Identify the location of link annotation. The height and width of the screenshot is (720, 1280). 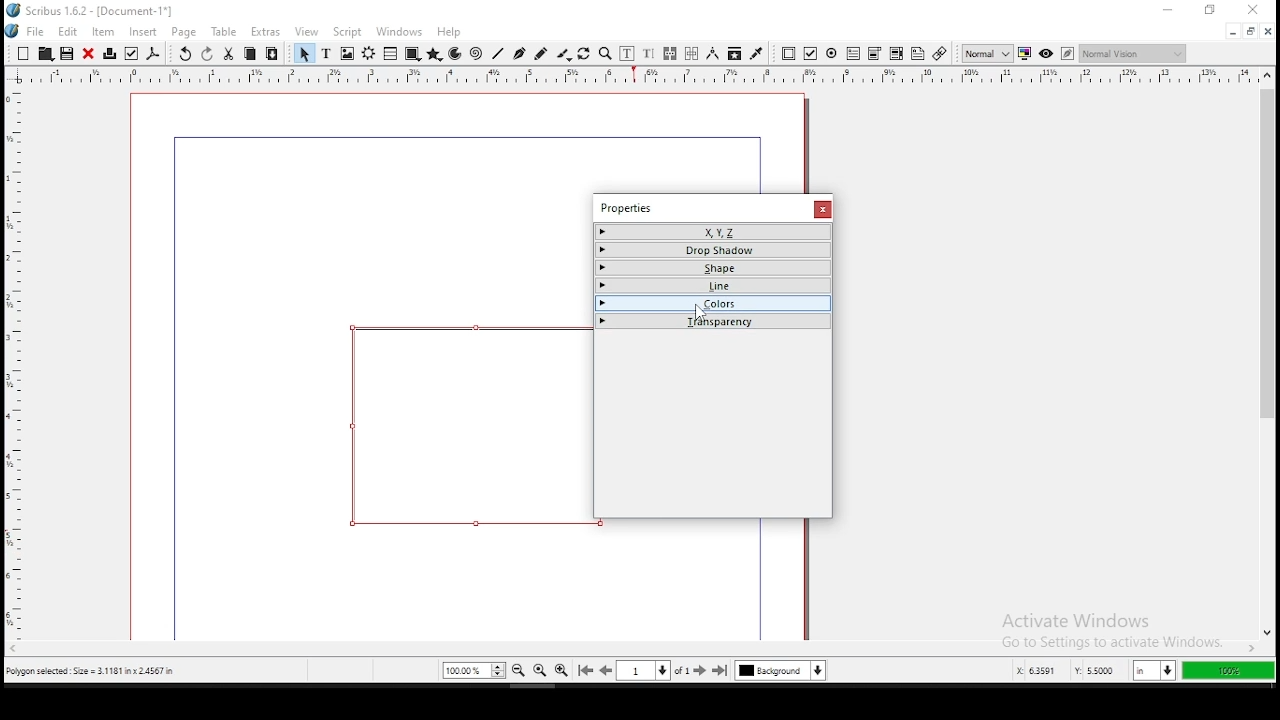
(939, 53).